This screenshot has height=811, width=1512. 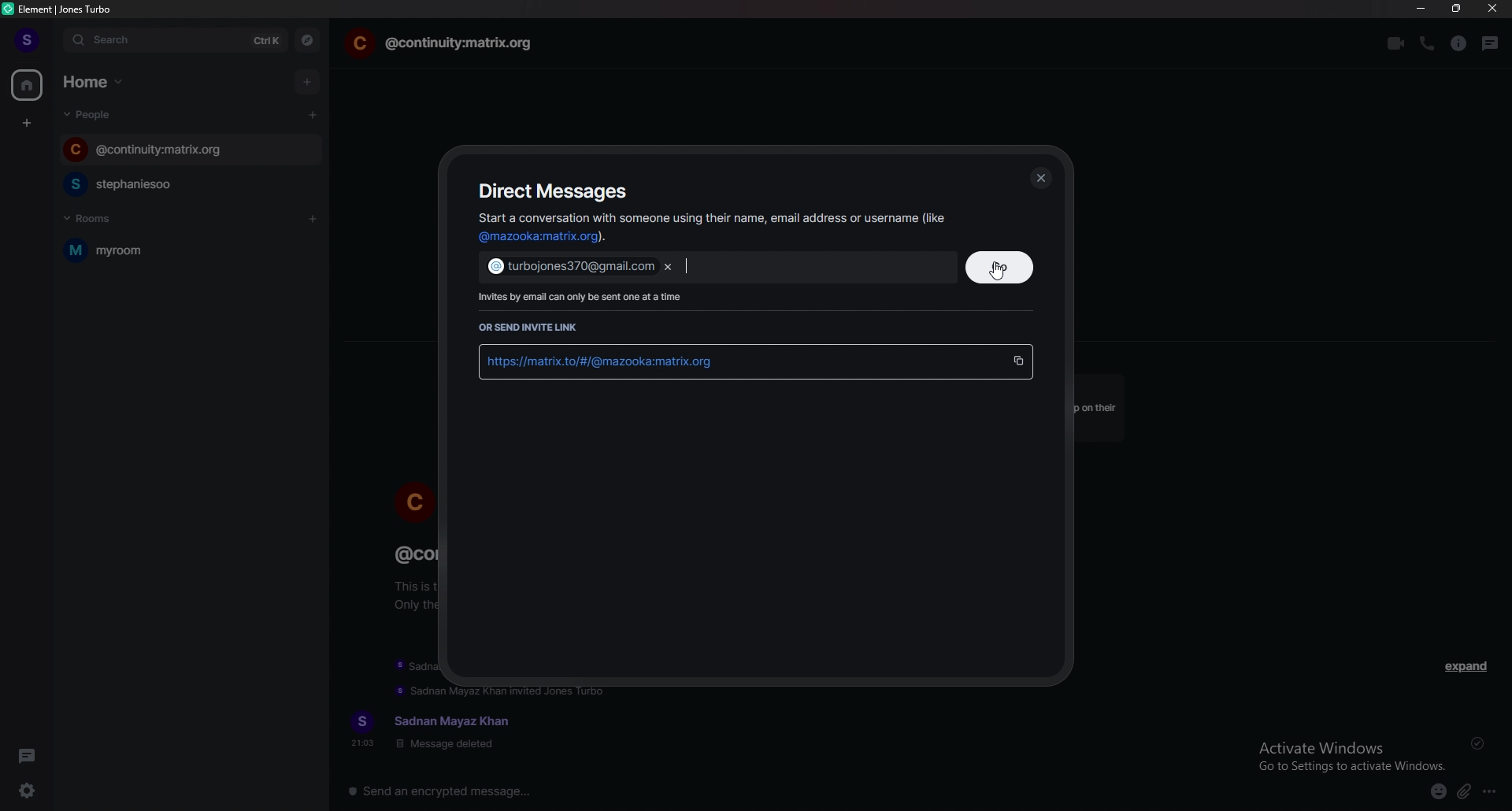 I want to click on copy, so click(x=1017, y=361).